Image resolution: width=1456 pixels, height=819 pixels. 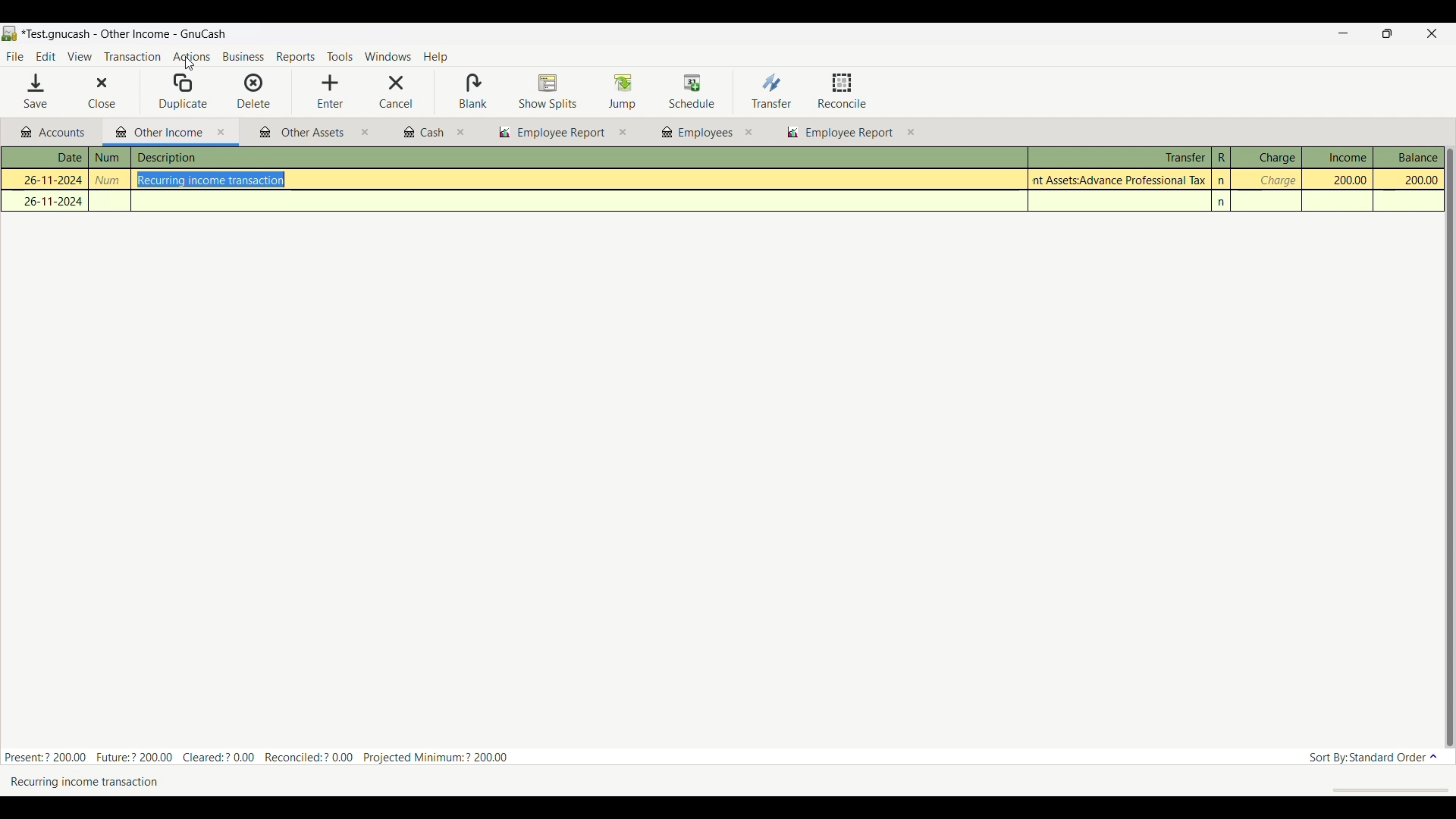 I want to click on Business menu, so click(x=243, y=58).